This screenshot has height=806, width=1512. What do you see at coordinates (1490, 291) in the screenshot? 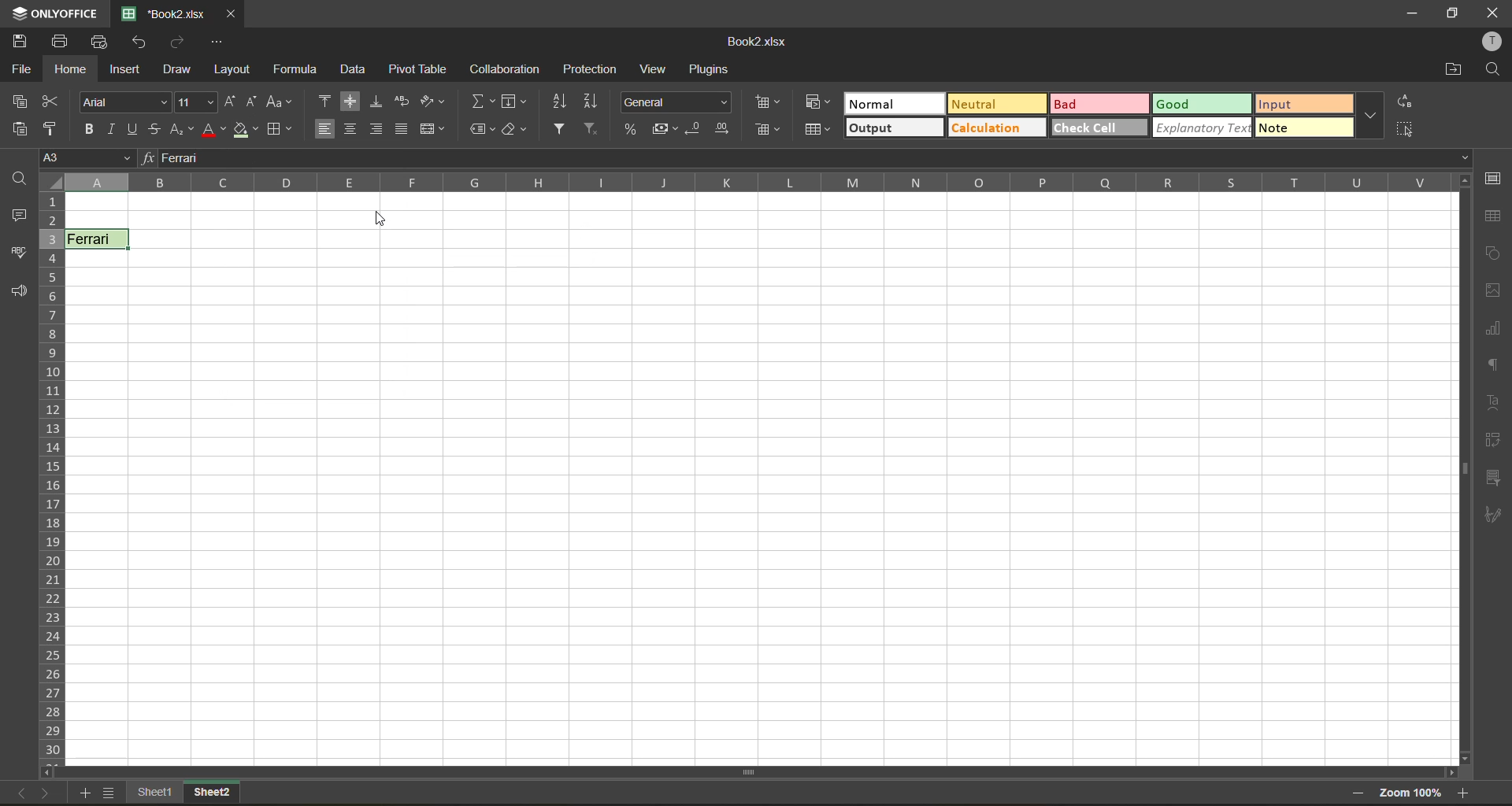
I see `images` at bounding box center [1490, 291].